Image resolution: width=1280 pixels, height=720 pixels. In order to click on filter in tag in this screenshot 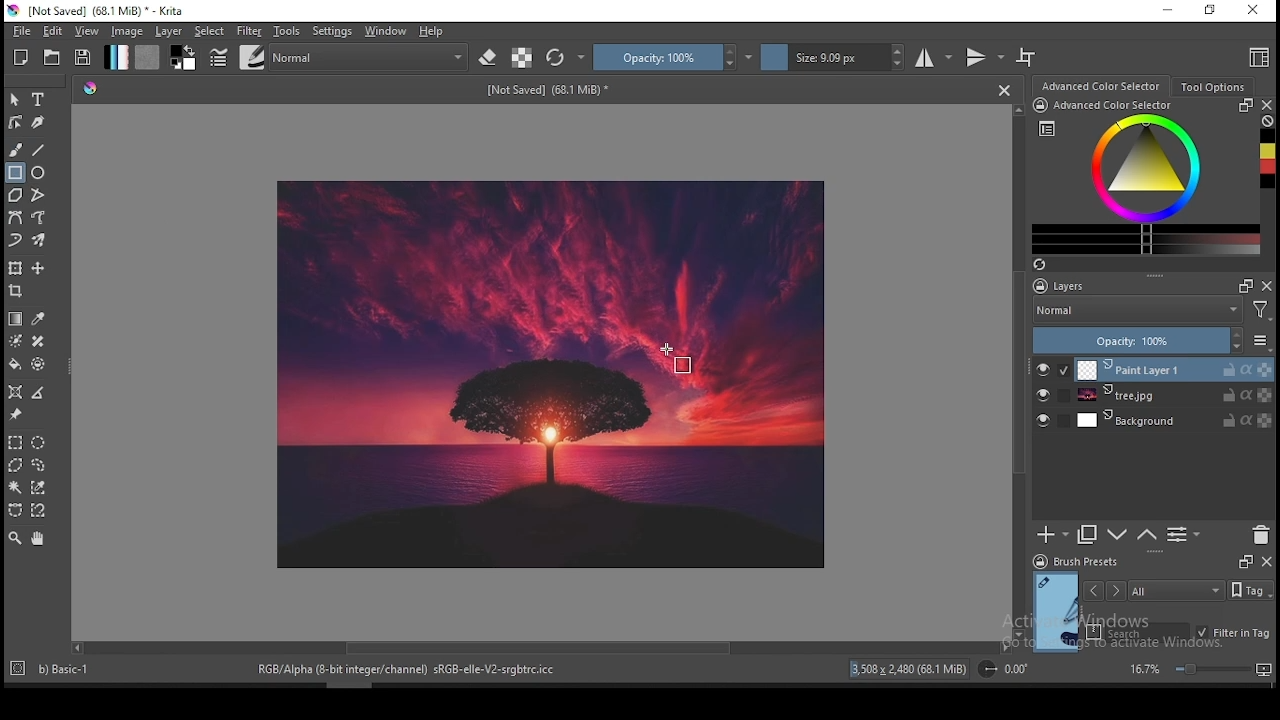, I will do `click(1234, 631)`.